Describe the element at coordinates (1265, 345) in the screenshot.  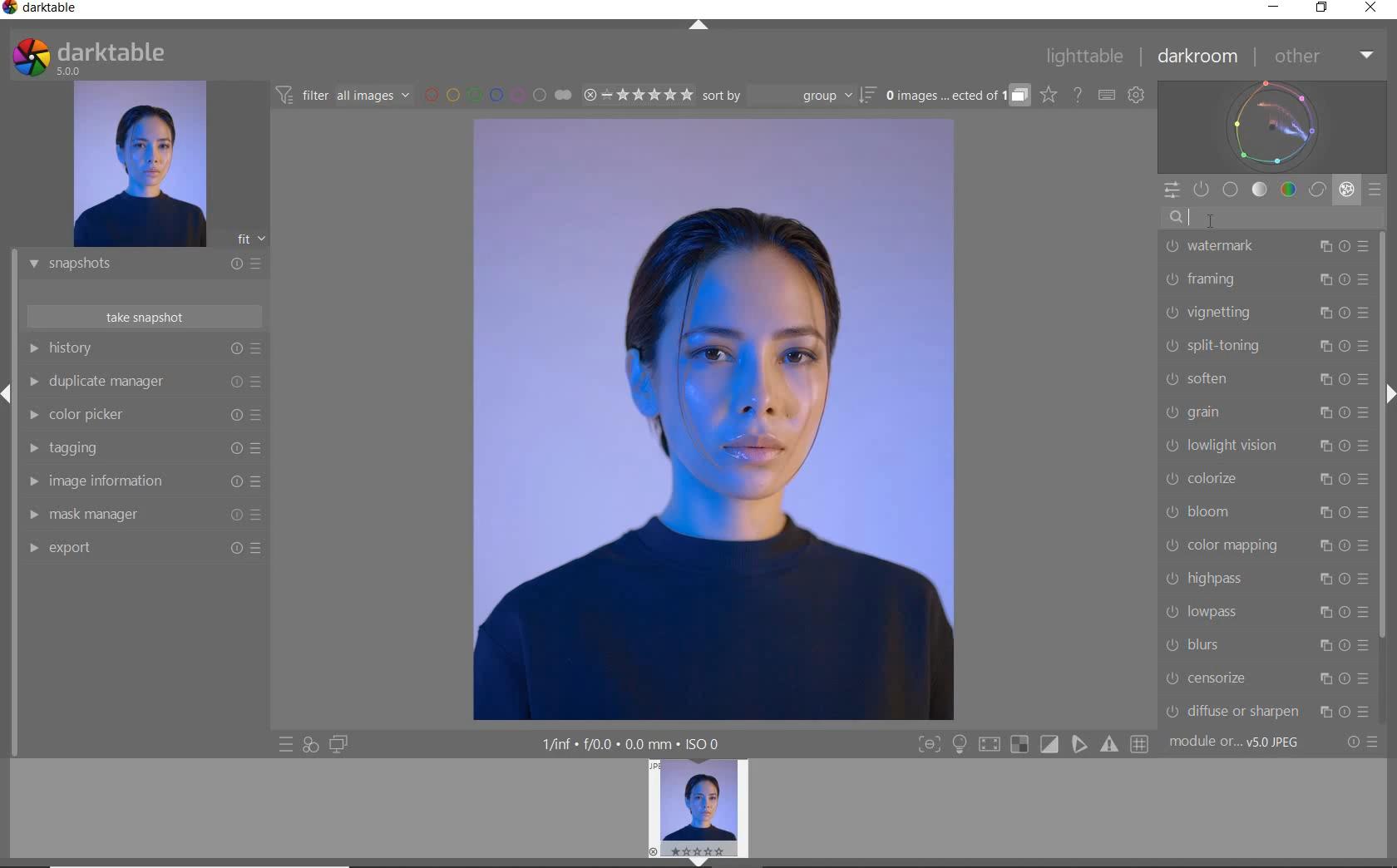
I see `SPLIT-TONING` at that location.